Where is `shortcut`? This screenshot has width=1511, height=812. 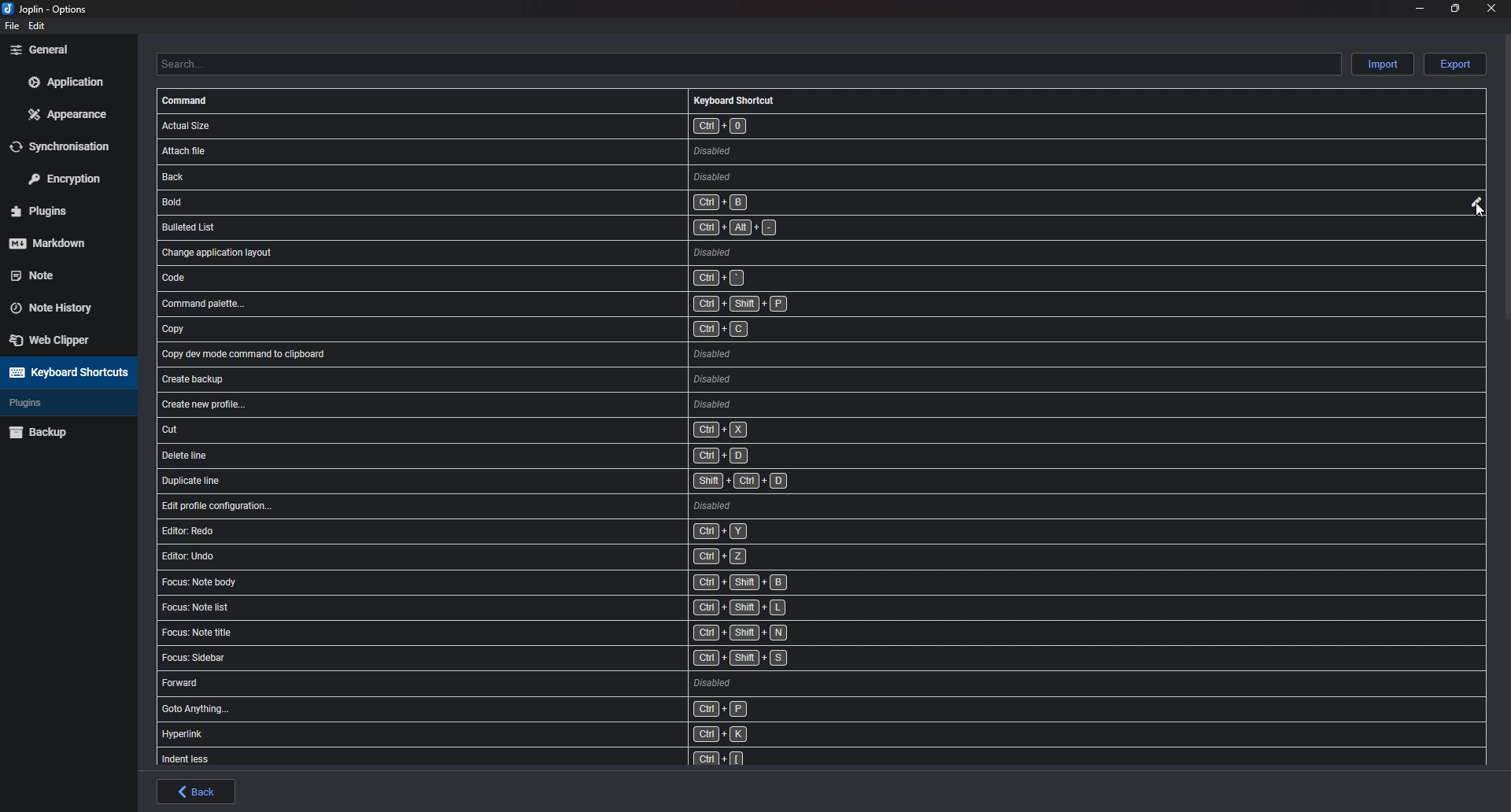 shortcut is located at coordinates (525, 202).